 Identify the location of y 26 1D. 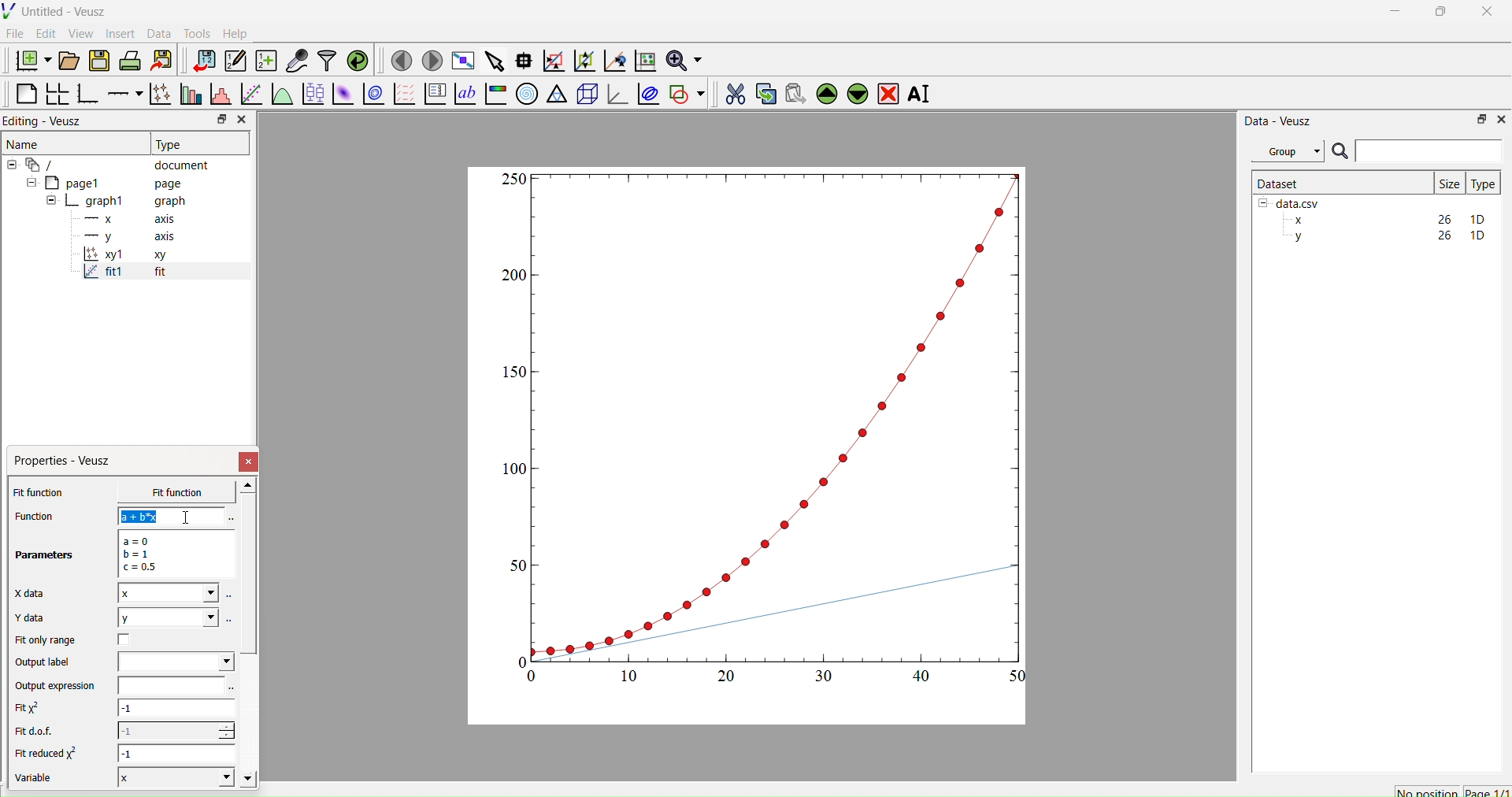
(1385, 235).